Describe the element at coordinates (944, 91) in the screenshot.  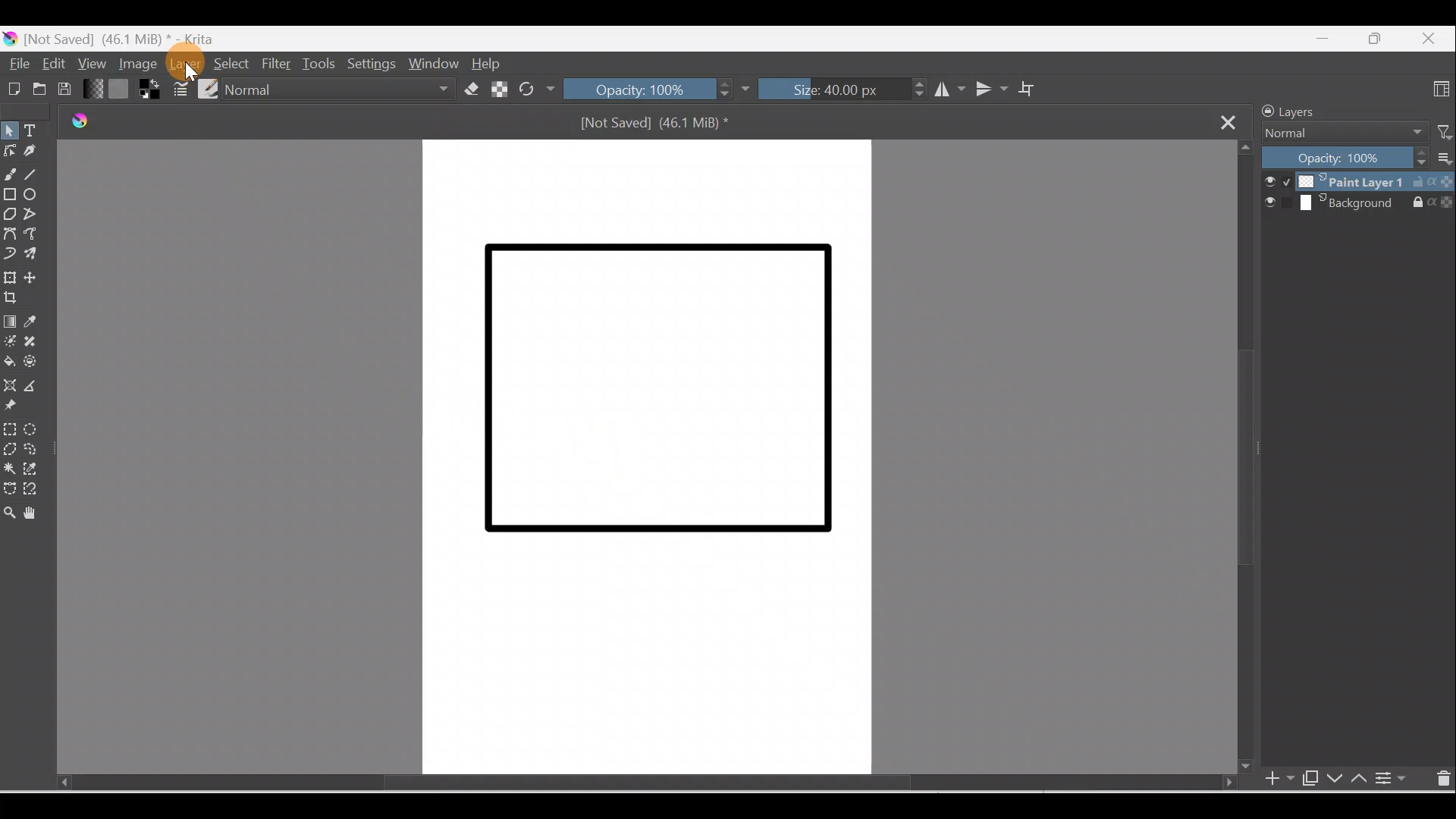
I see `Horizontal mirror tool` at that location.